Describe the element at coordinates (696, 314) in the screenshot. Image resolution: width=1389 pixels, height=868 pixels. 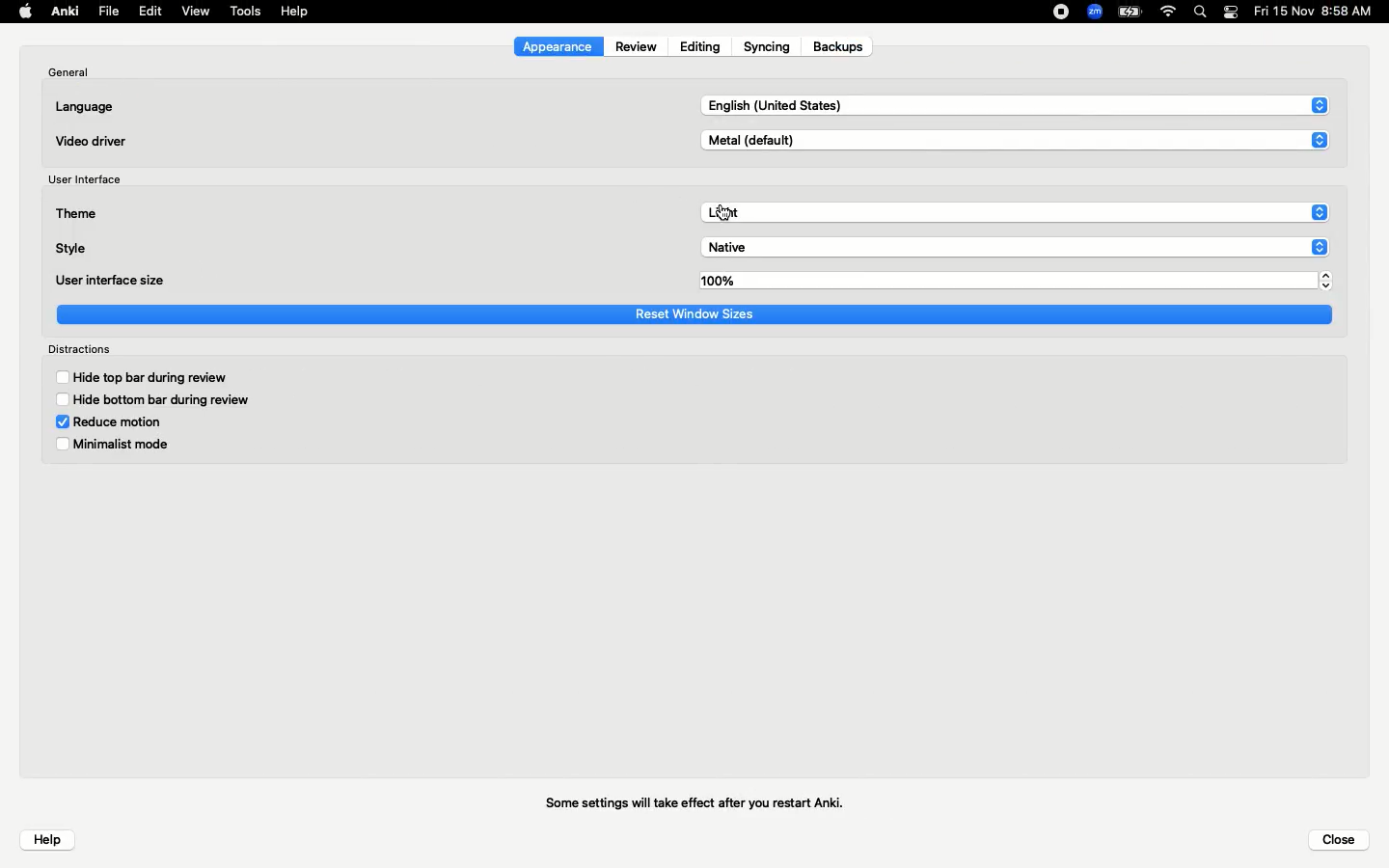
I see `Reset window sizes` at that location.